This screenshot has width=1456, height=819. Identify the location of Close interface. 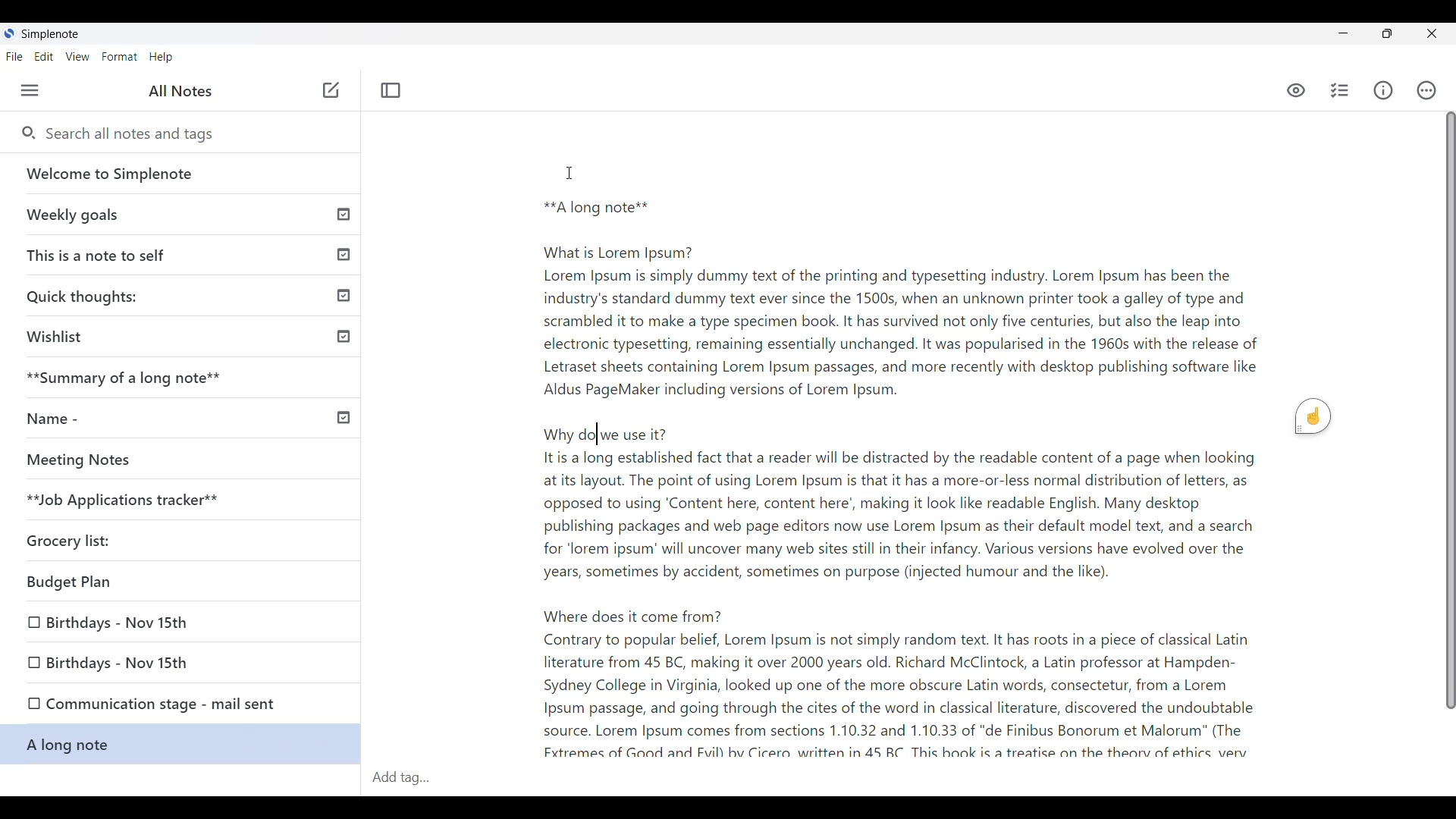
(1431, 33).